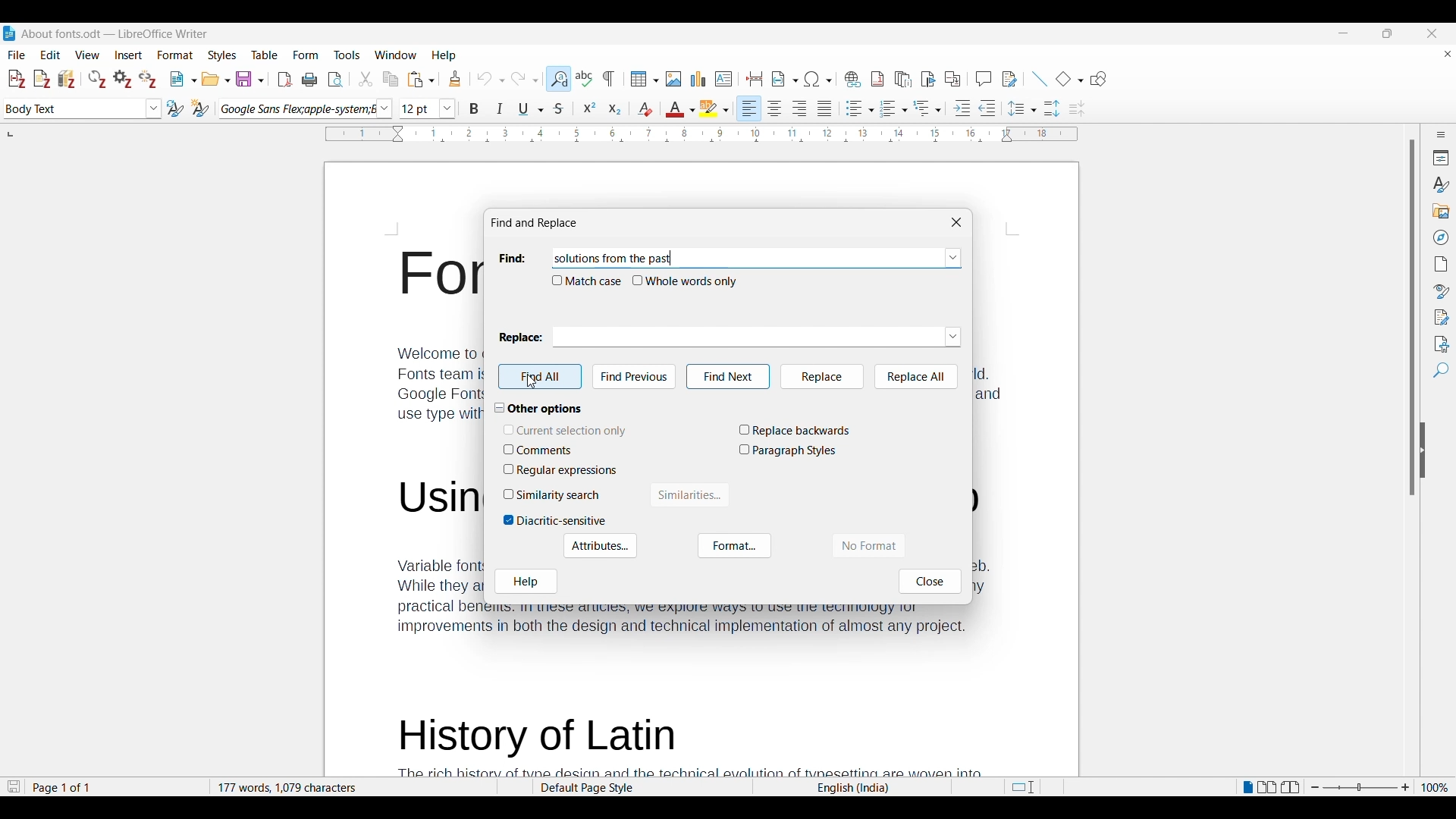  Describe the element at coordinates (956, 222) in the screenshot. I see `Close window` at that location.